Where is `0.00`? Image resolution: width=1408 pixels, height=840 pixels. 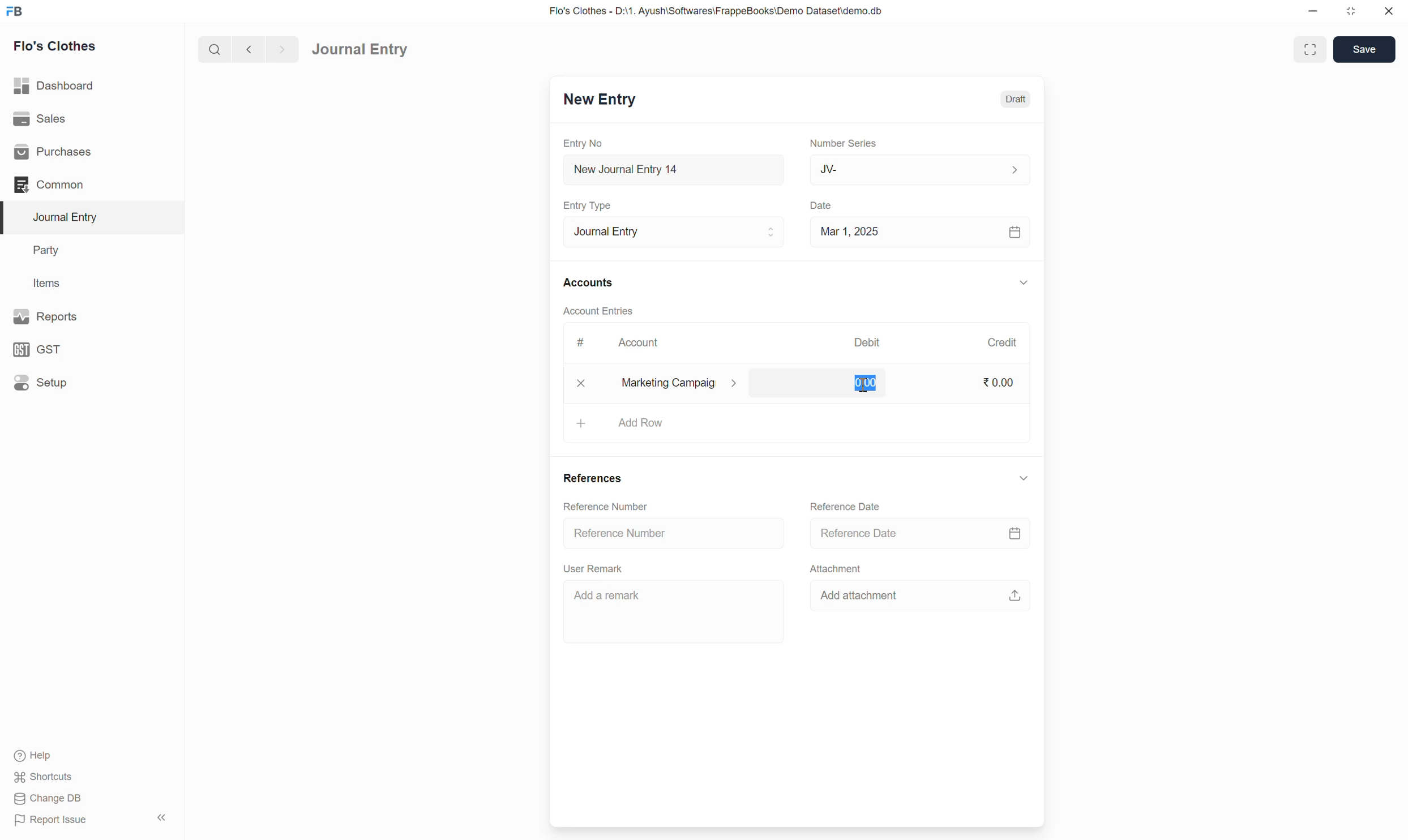 0.00 is located at coordinates (865, 384).